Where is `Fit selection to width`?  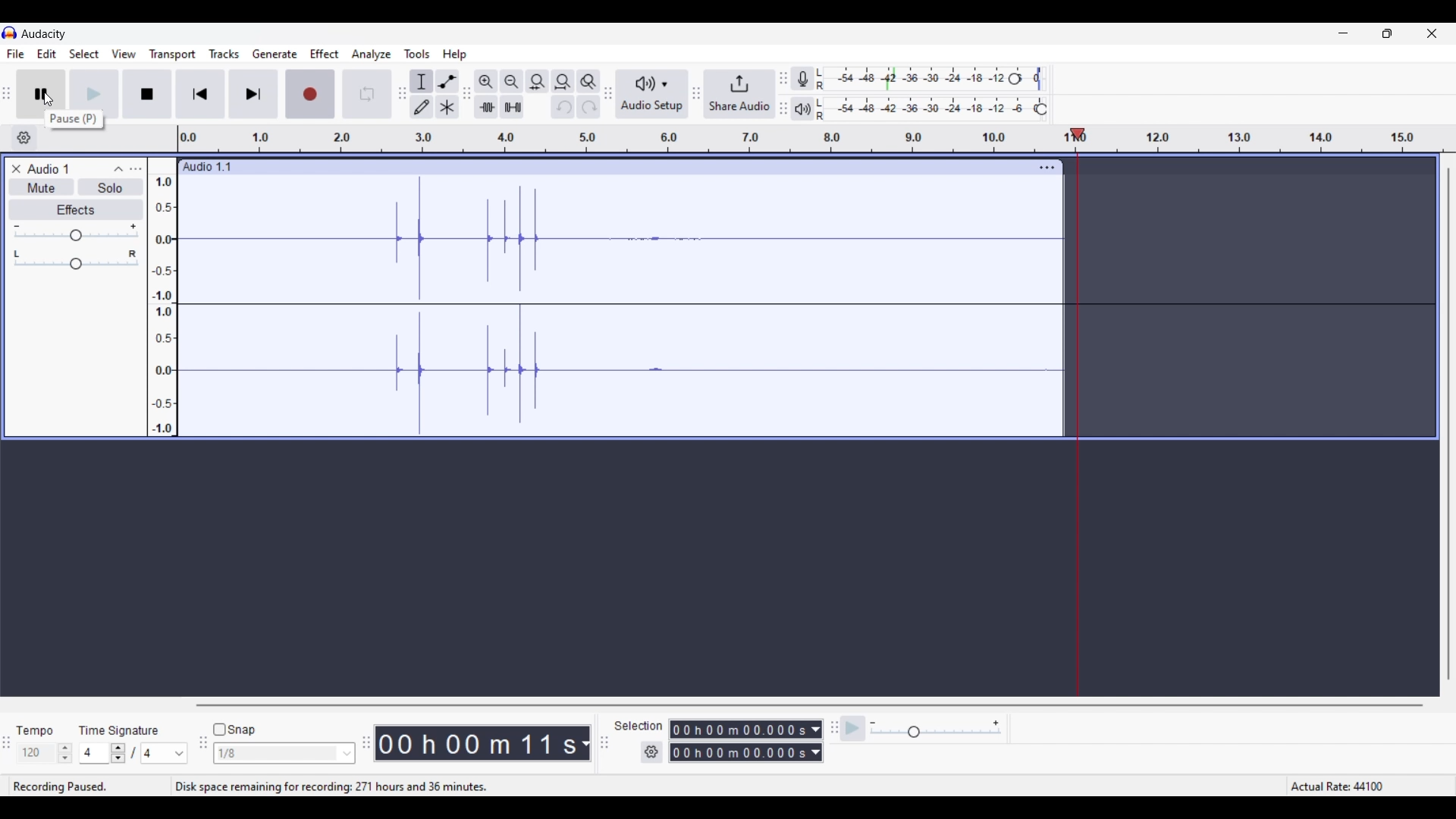 Fit selection to width is located at coordinates (538, 81).